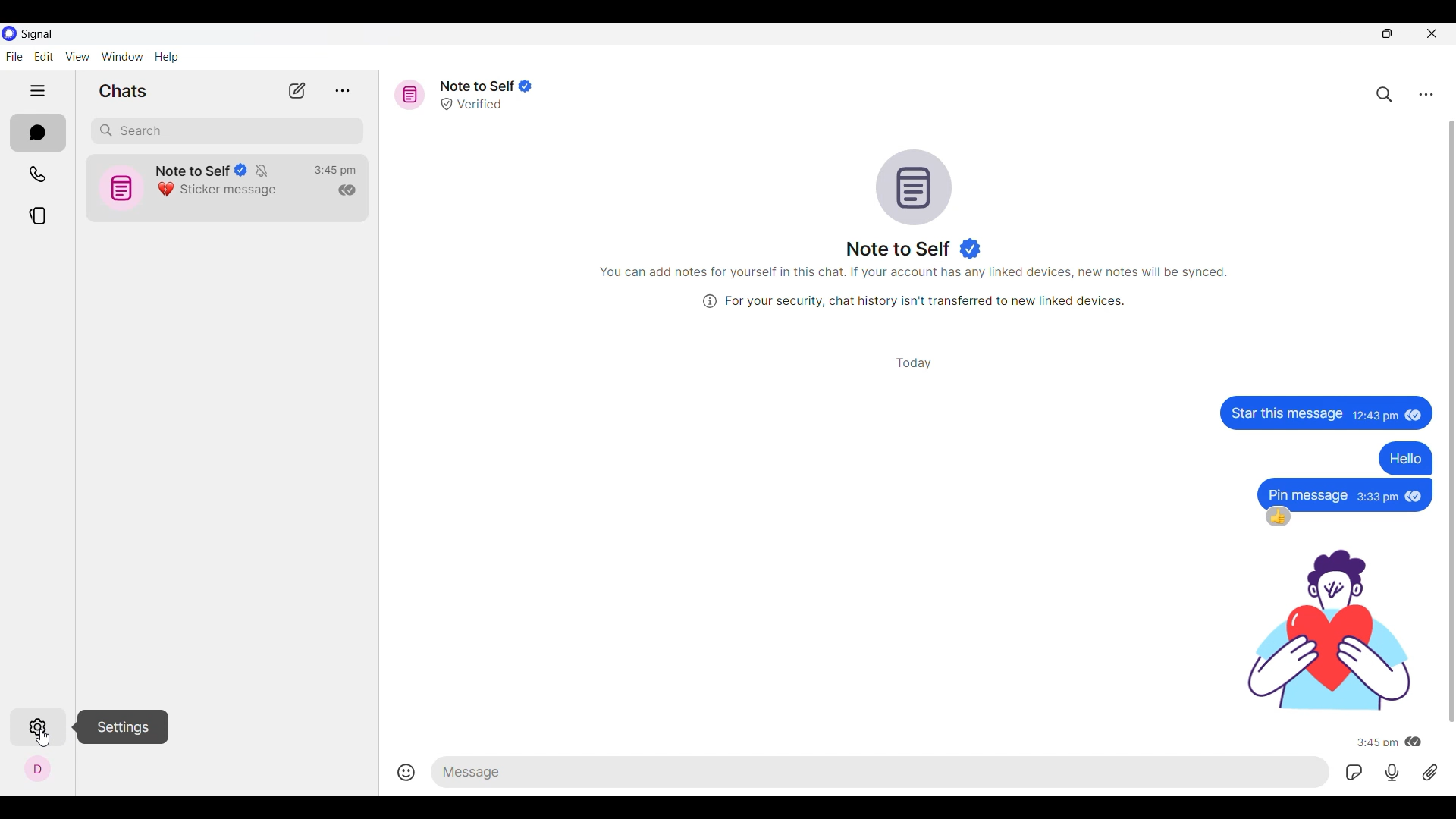 This screenshot has width=1456, height=819. Describe the element at coordinates (486, 95) in the screenshot. I see `Details of message receiver ` at that location.